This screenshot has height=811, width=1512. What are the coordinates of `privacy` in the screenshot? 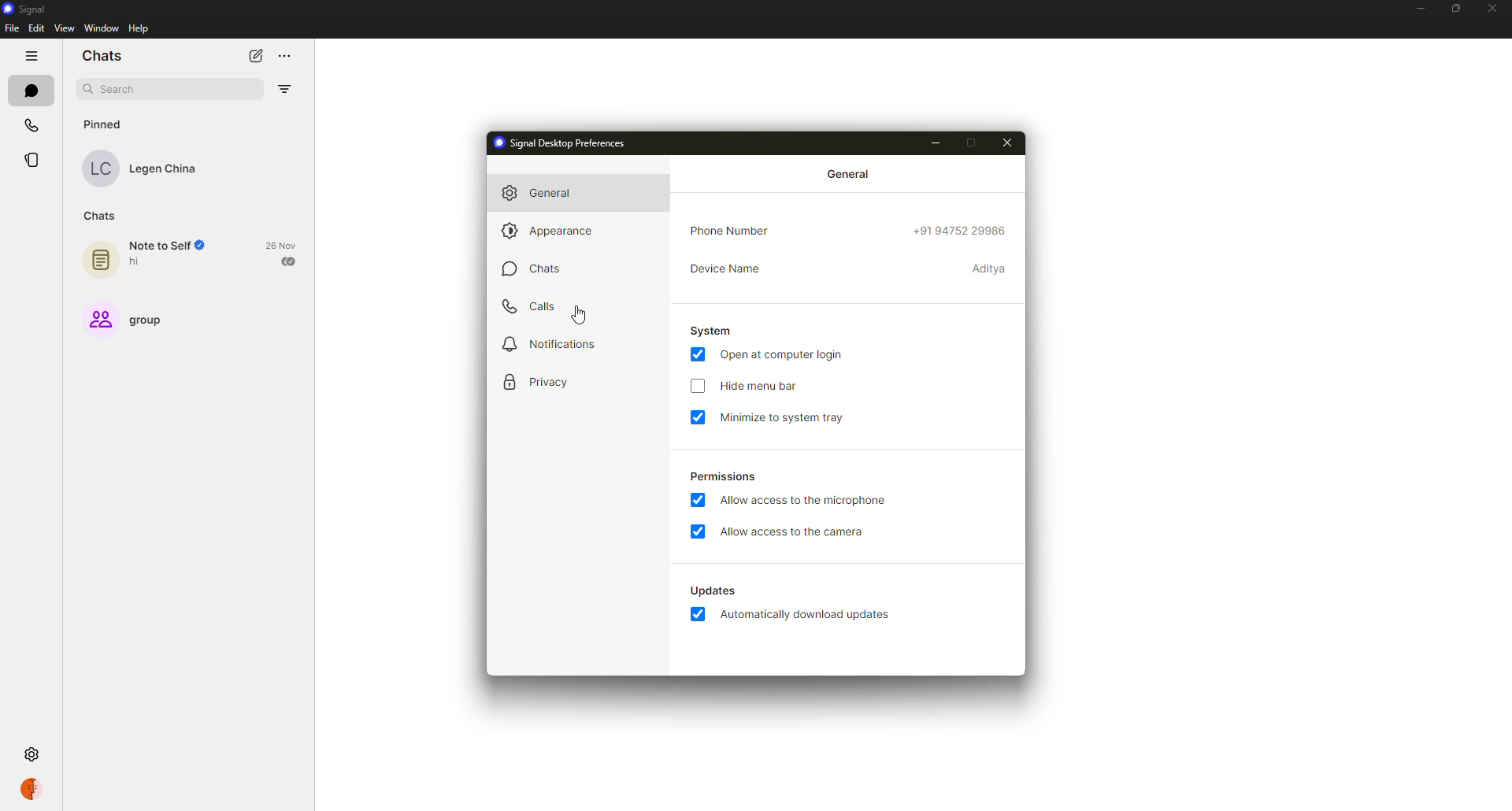 It's located at (535, 383).